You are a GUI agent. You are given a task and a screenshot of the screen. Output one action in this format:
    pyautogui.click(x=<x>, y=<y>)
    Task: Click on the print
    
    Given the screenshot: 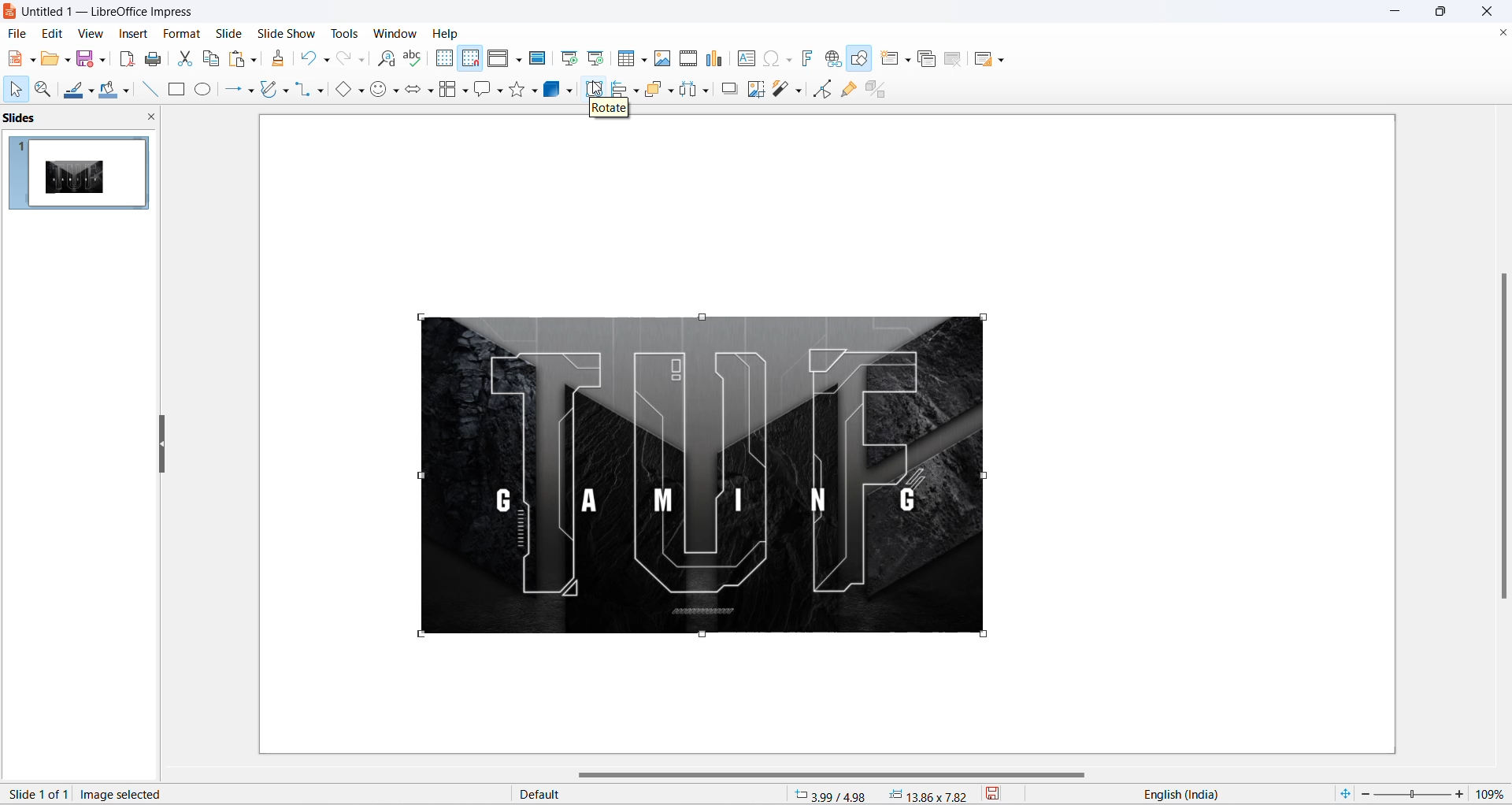 What is the action you would take?
    pyautogui.click(x=158, y=59)
    